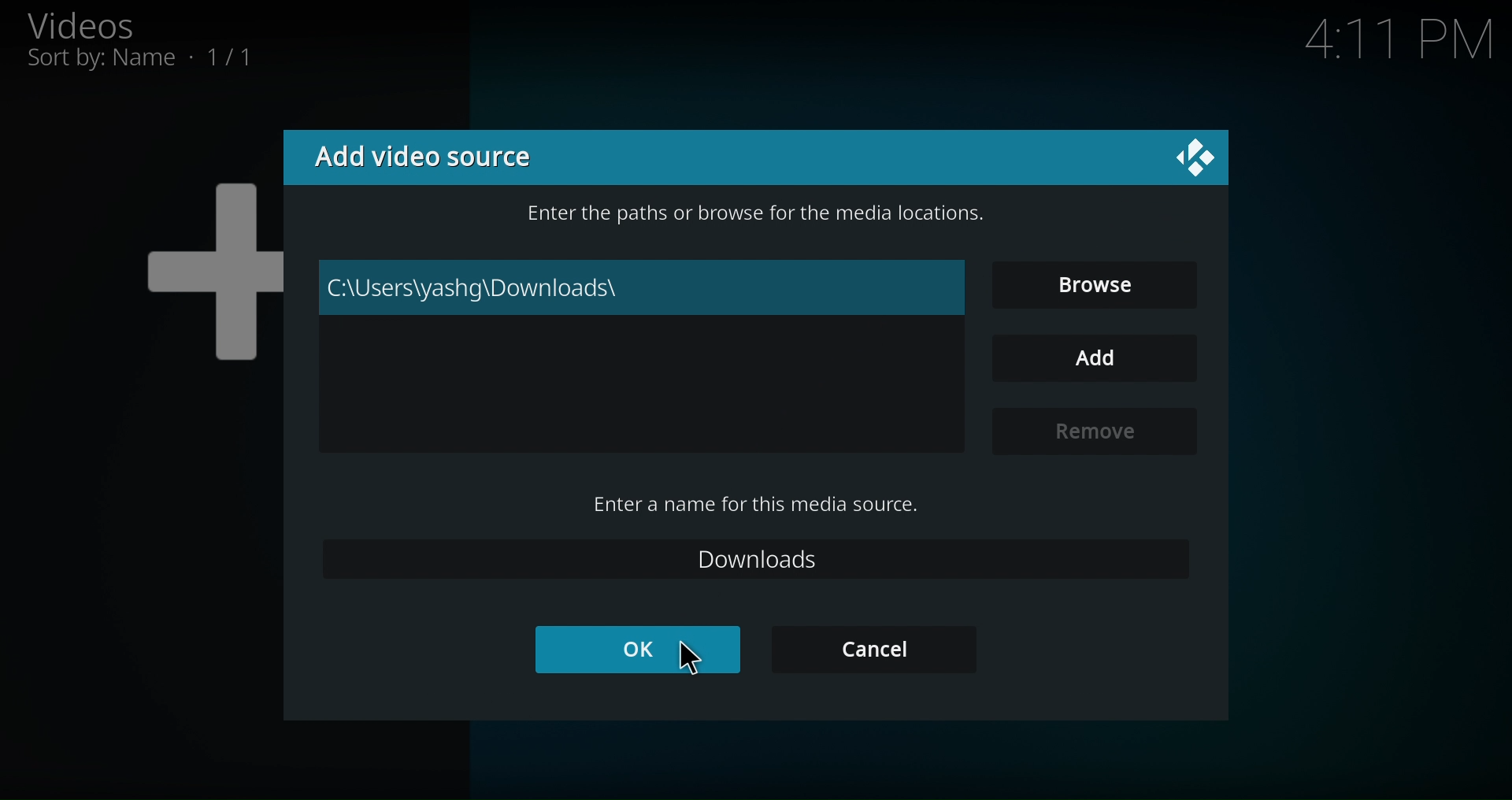 This screenshot has width=1512, height=800. I want to click on Add video source, so click(472, 156).